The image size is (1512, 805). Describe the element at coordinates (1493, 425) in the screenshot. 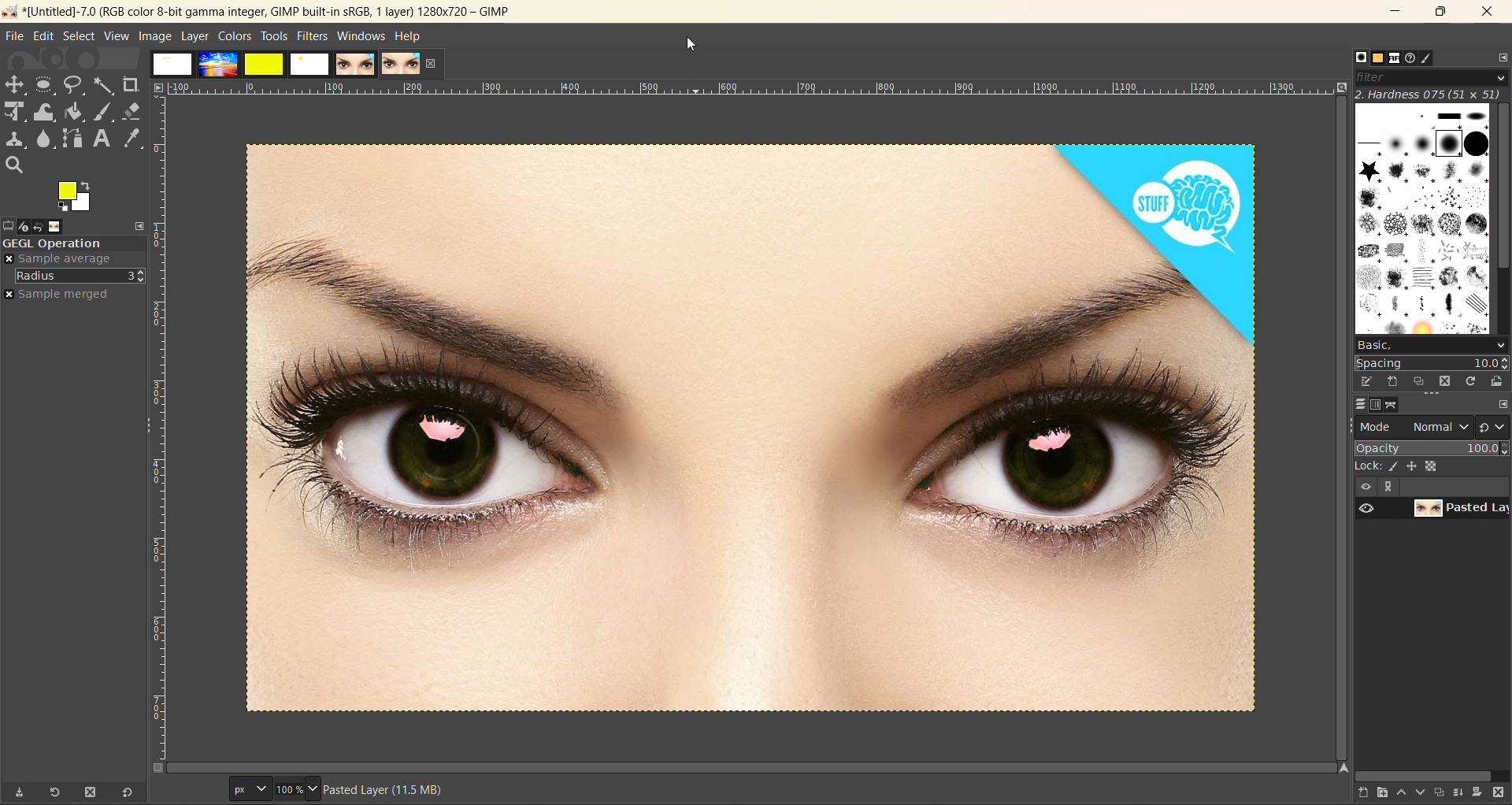

I see `switch to another group` at that location.